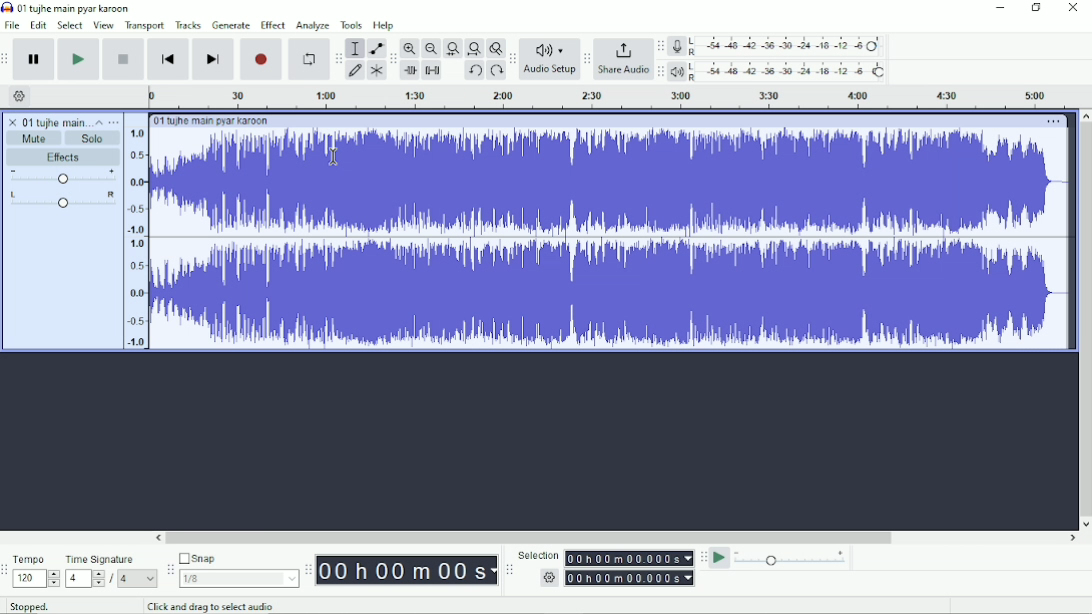 The width and height of the screenshot is (1092, 614). Describe the element at coordinates (660, 72) in the screenshot. I see `Audacity playback meter toolbar` at that location.